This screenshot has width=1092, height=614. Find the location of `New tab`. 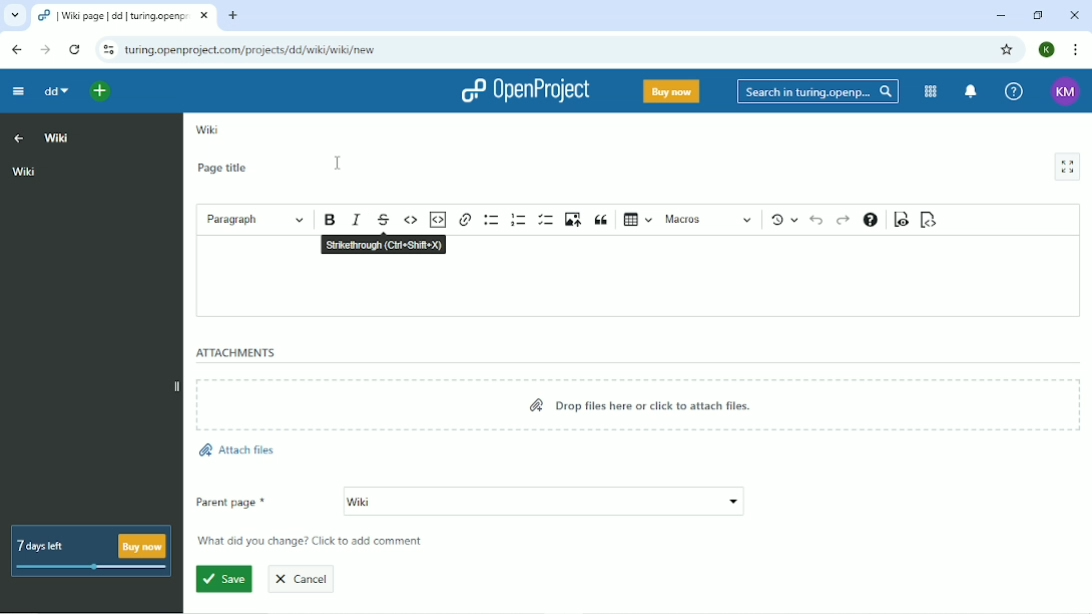

New tab is located at coordinates (232, 16).